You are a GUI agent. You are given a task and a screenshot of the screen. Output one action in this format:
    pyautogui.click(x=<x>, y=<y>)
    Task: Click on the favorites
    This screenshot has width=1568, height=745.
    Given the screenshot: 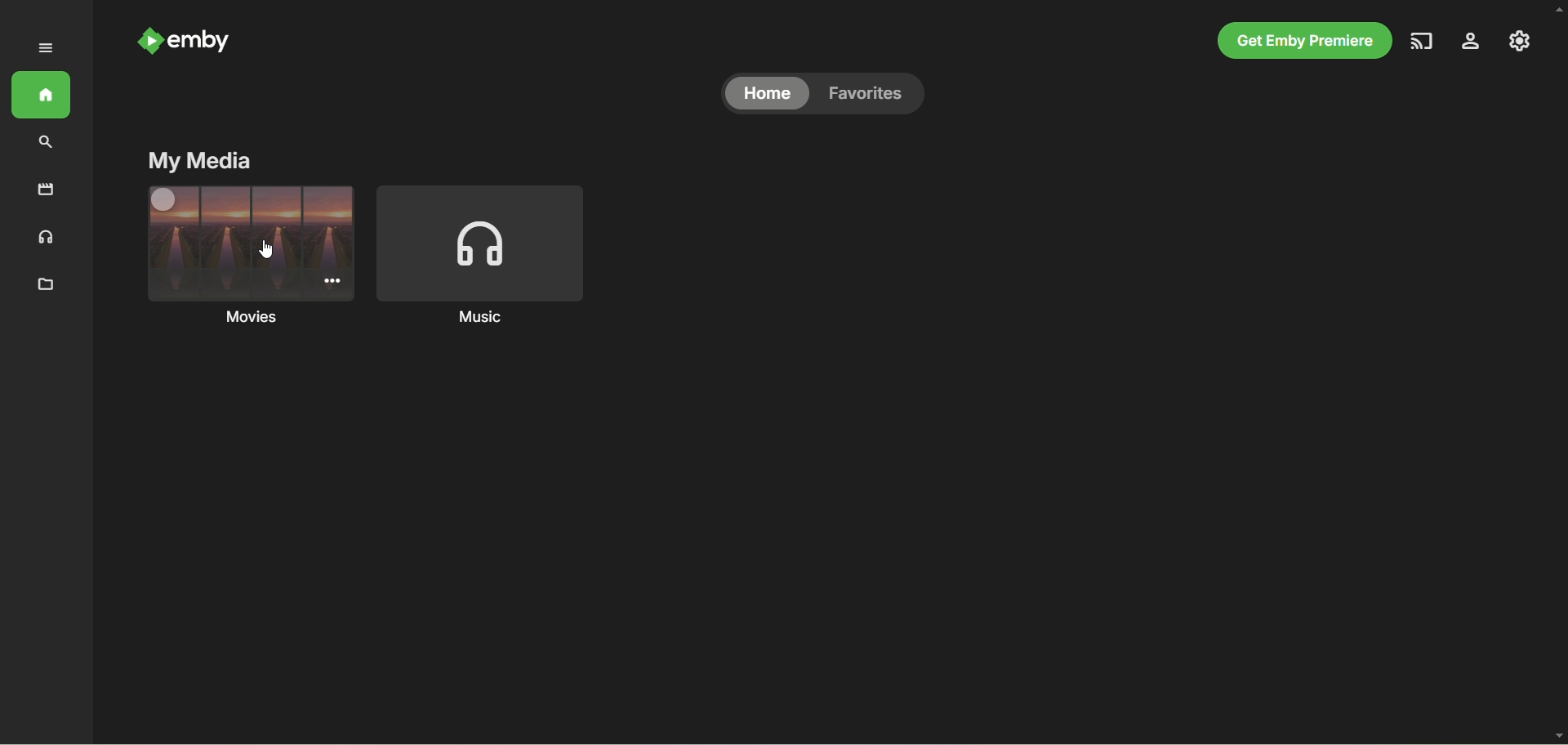 What is the action you would take?
    pyautogui.click(x=875, y=96)
    